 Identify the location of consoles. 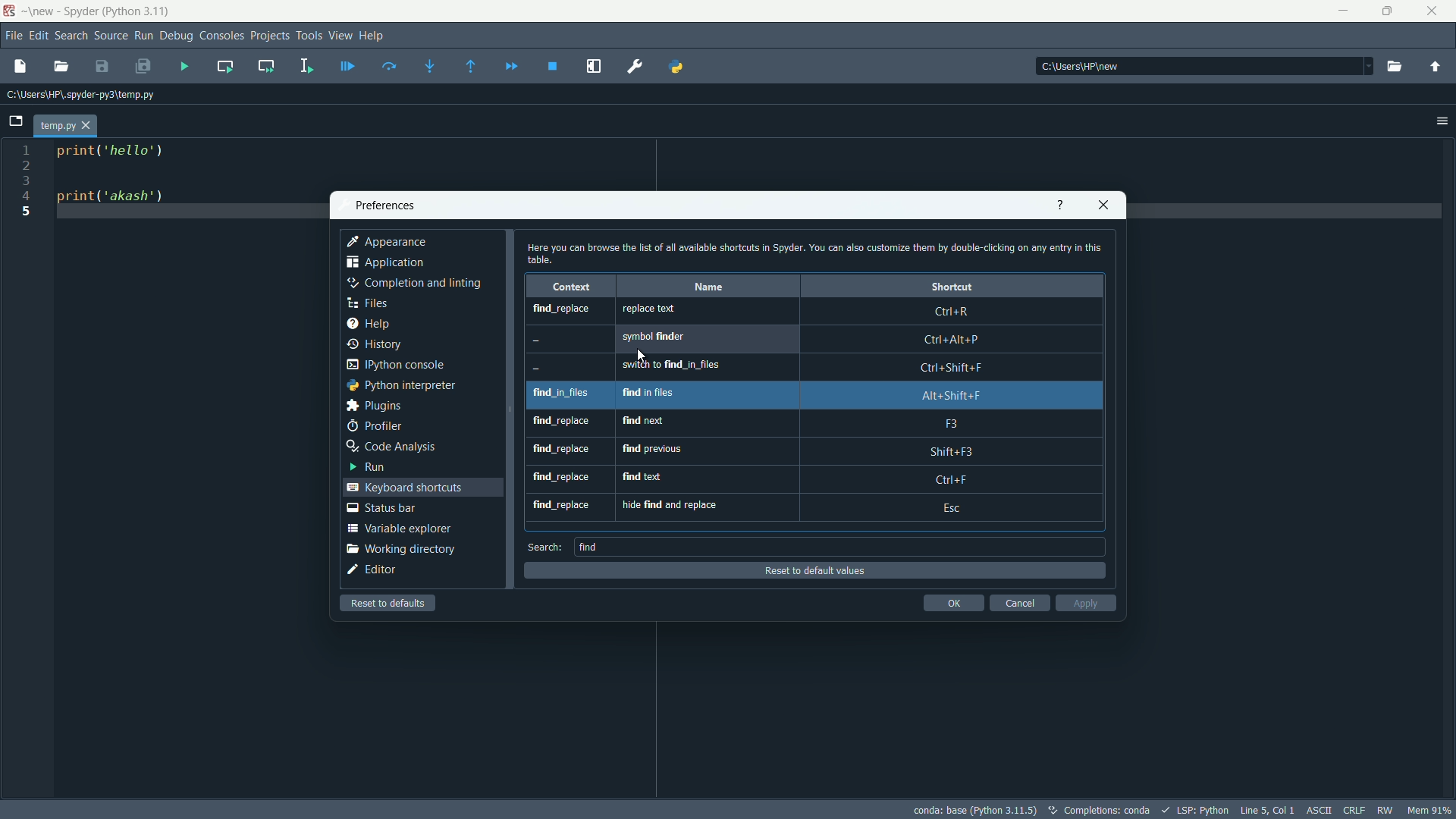
(218, 34).